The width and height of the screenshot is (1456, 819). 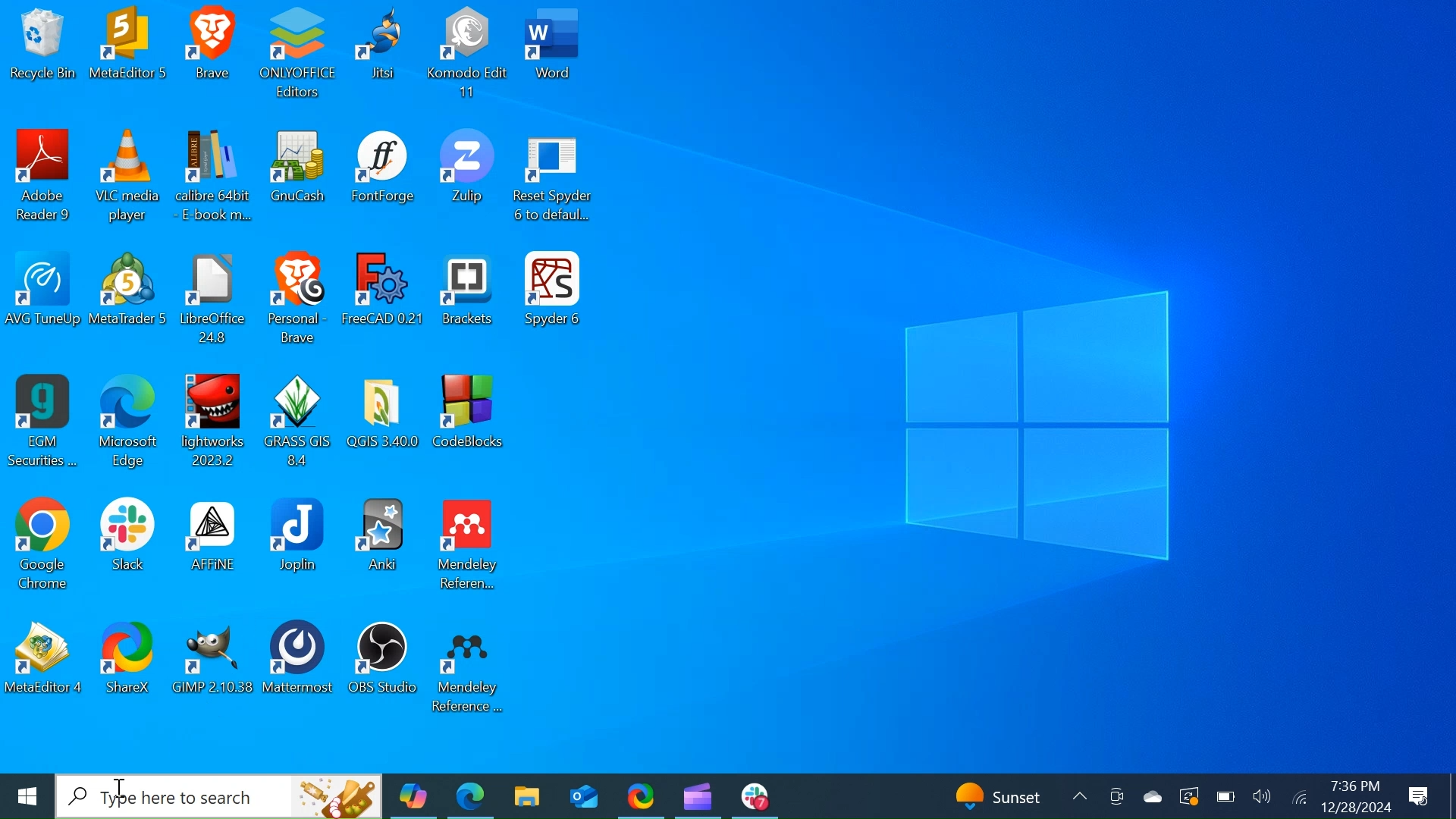 What do you see at coordinates (381, 668) in the screenshot?
I see `OBS Studios` at bounding box center [381, 668].